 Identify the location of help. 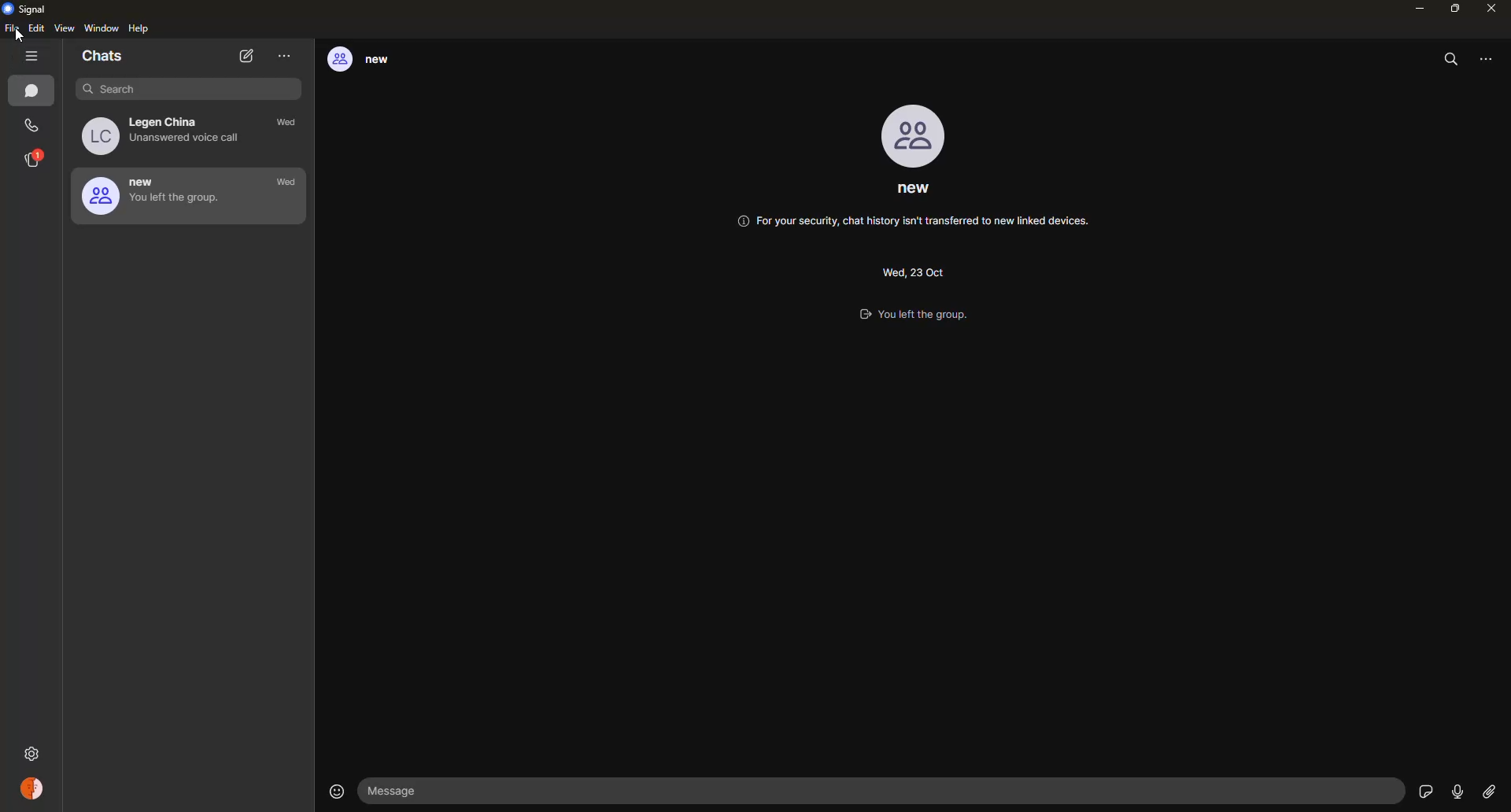
(140, 30).